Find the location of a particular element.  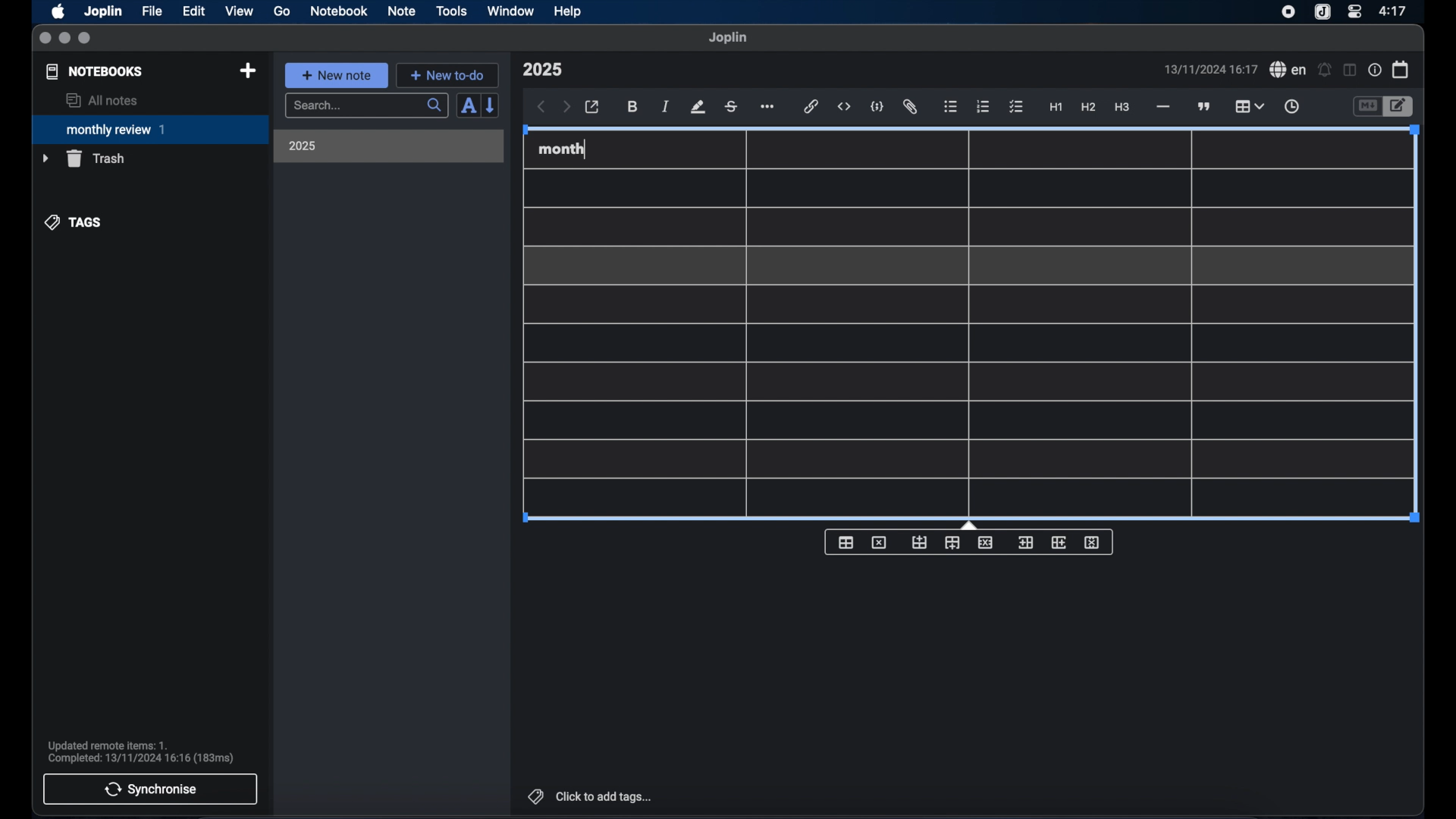

window is located at coordinates (511, 11).